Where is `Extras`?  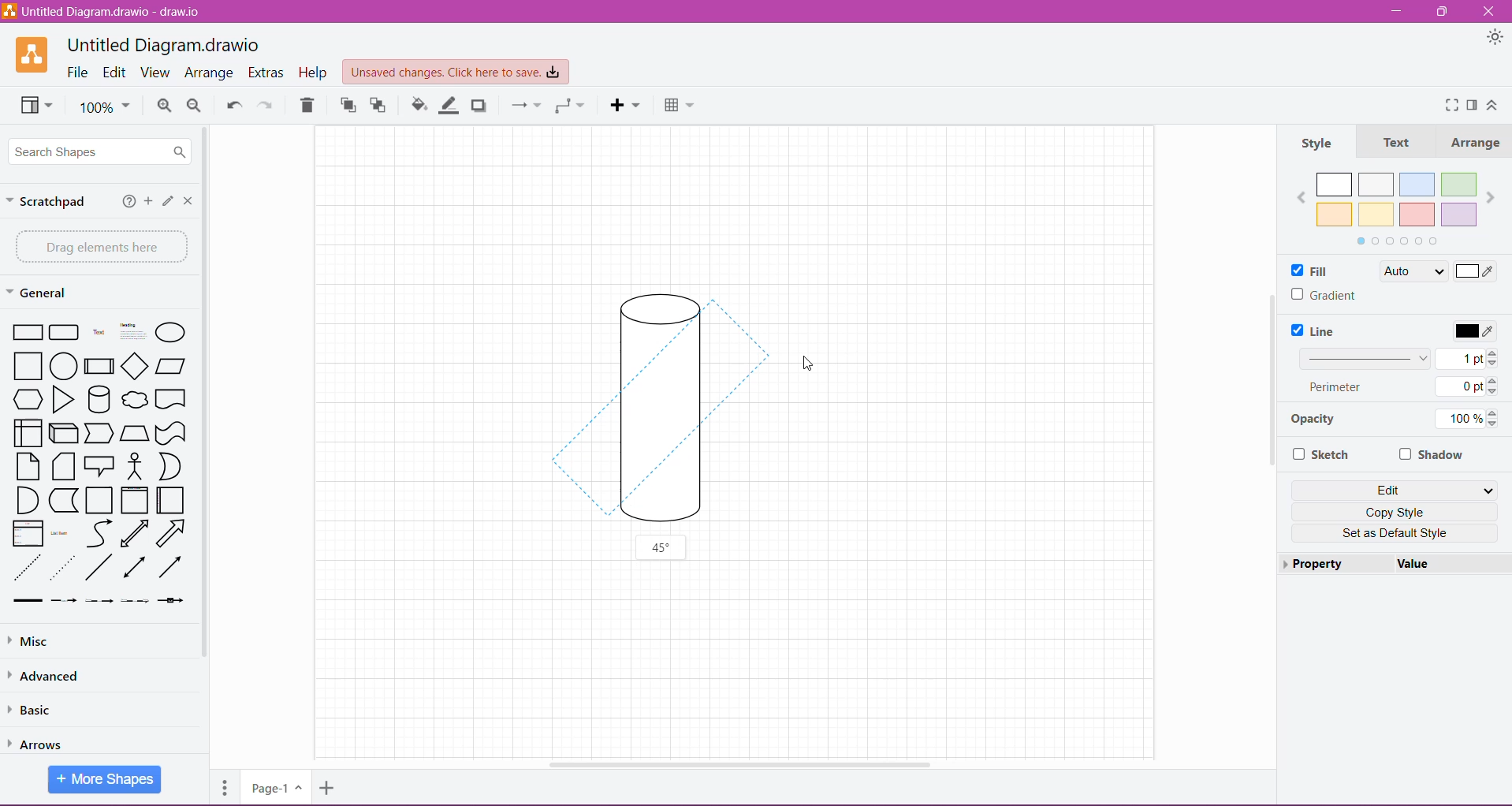 Extras is located at coordinates (266, 72).